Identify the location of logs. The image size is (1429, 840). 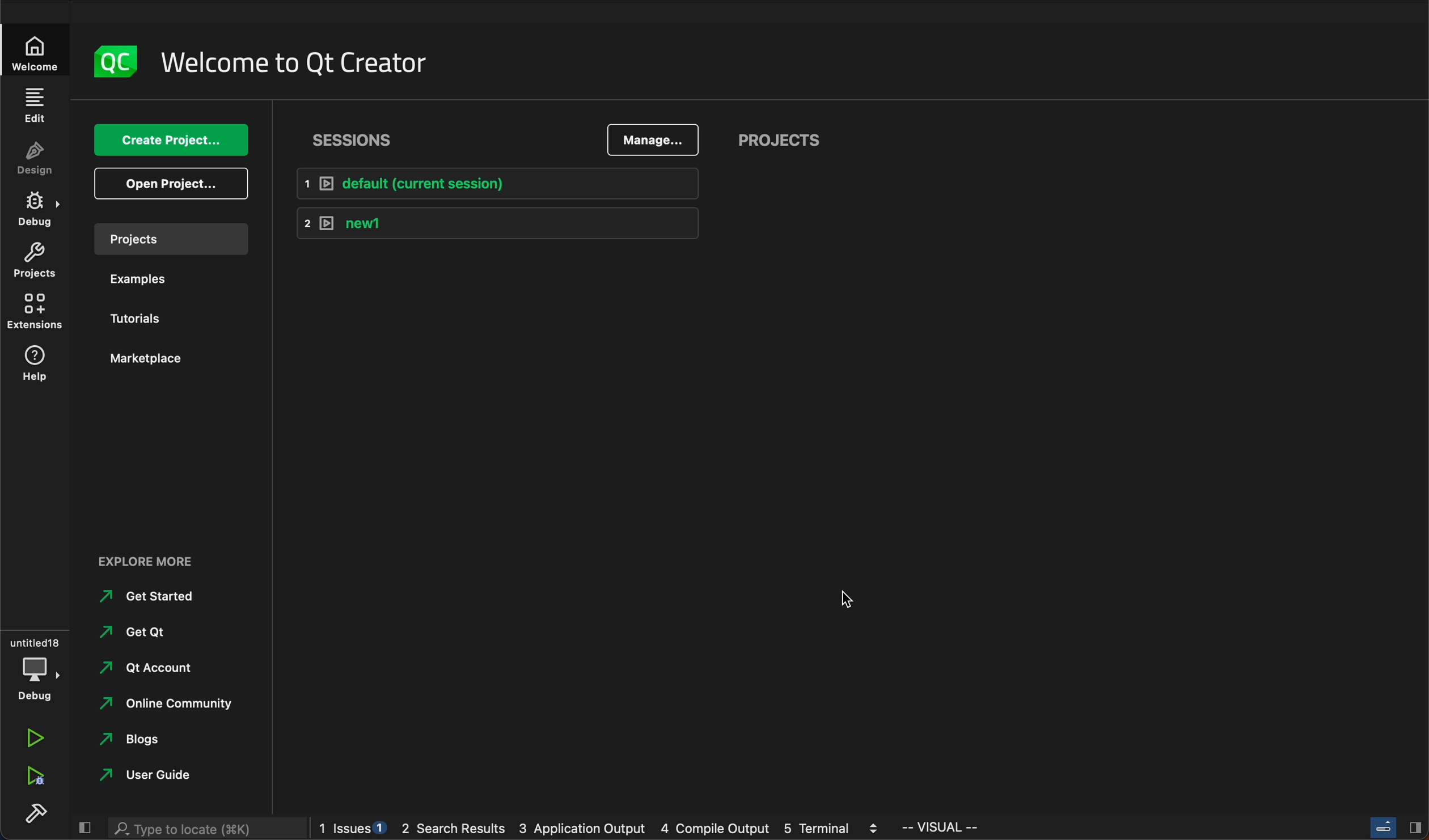
(599, 829).